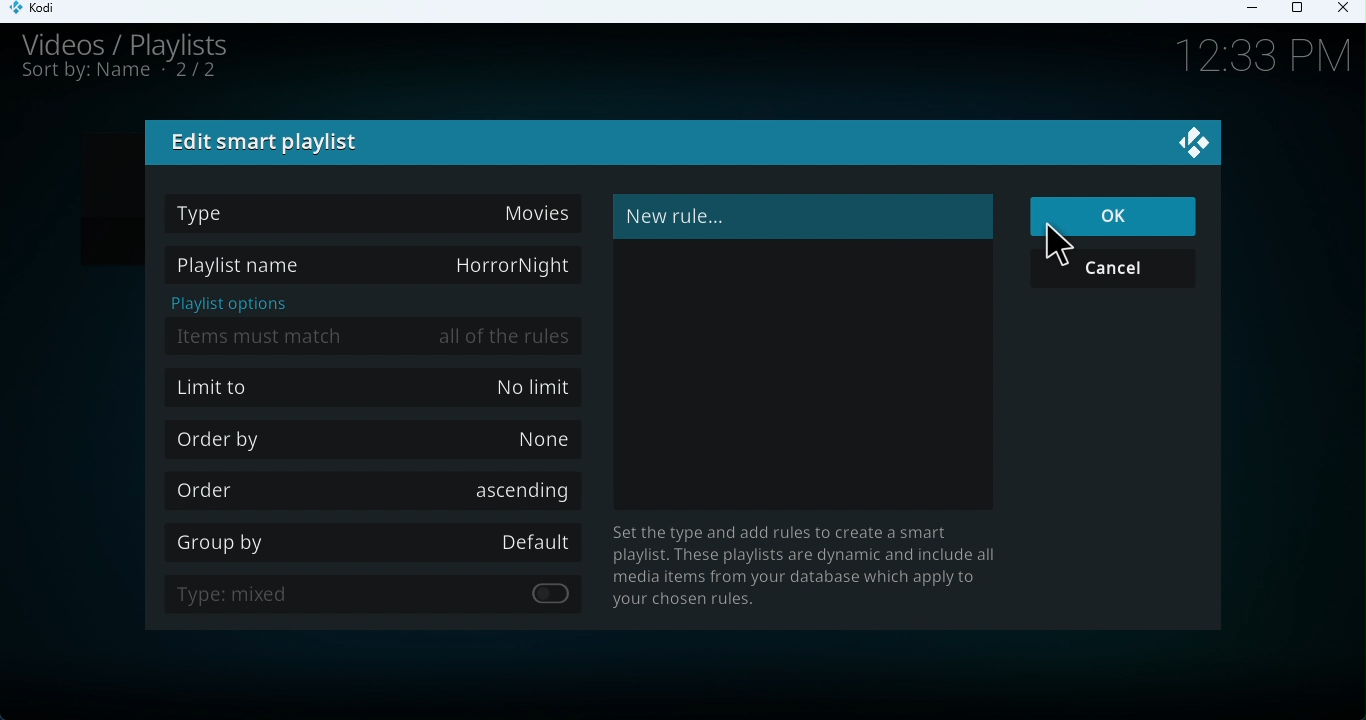 This screenshot has width=1366, height=720. I want to click on Playlist name, so click(372, 262).